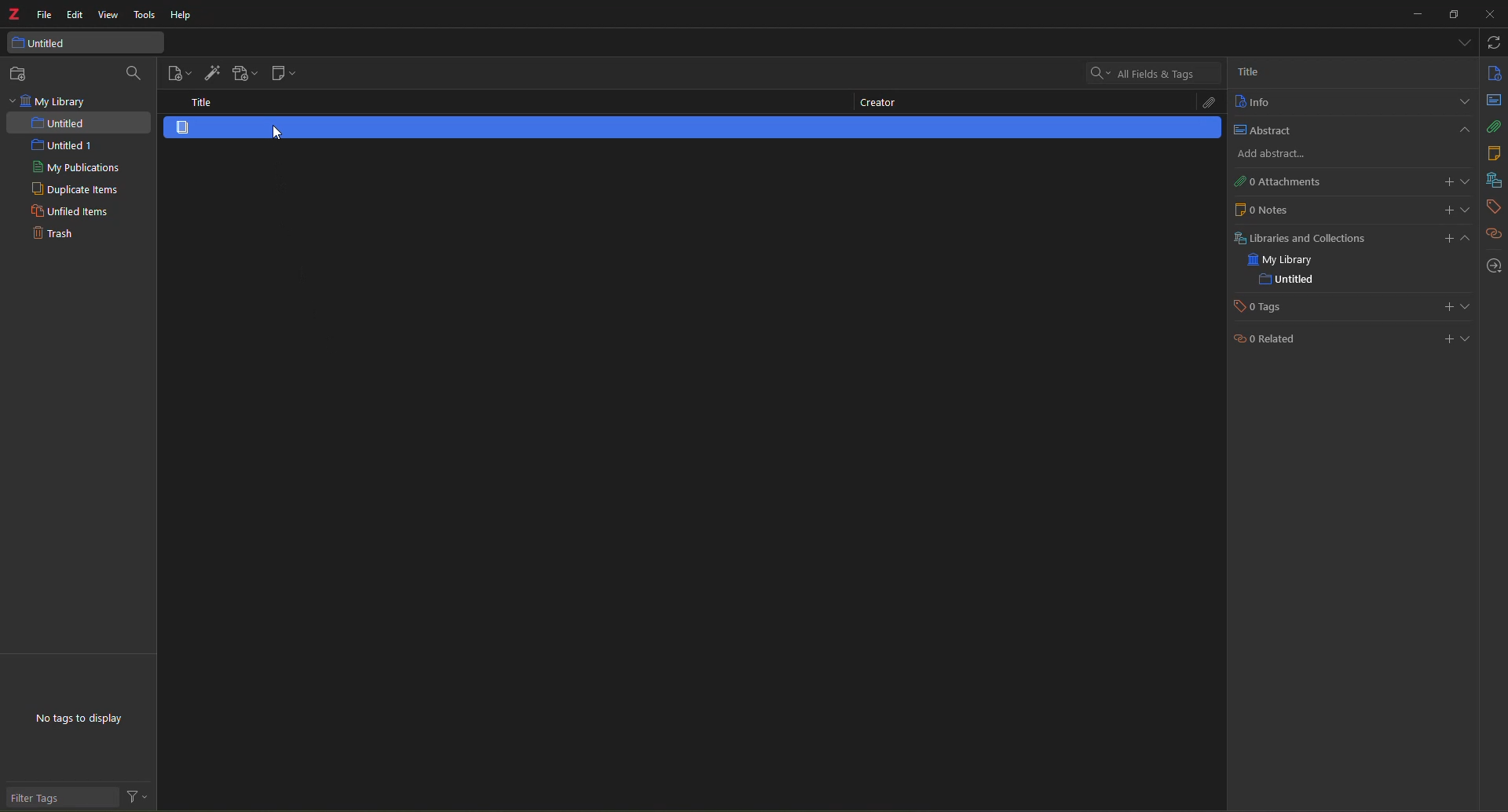 The height and width of the screenshot is (812, 1508). I want to click on minimize, so click(1411, 17).